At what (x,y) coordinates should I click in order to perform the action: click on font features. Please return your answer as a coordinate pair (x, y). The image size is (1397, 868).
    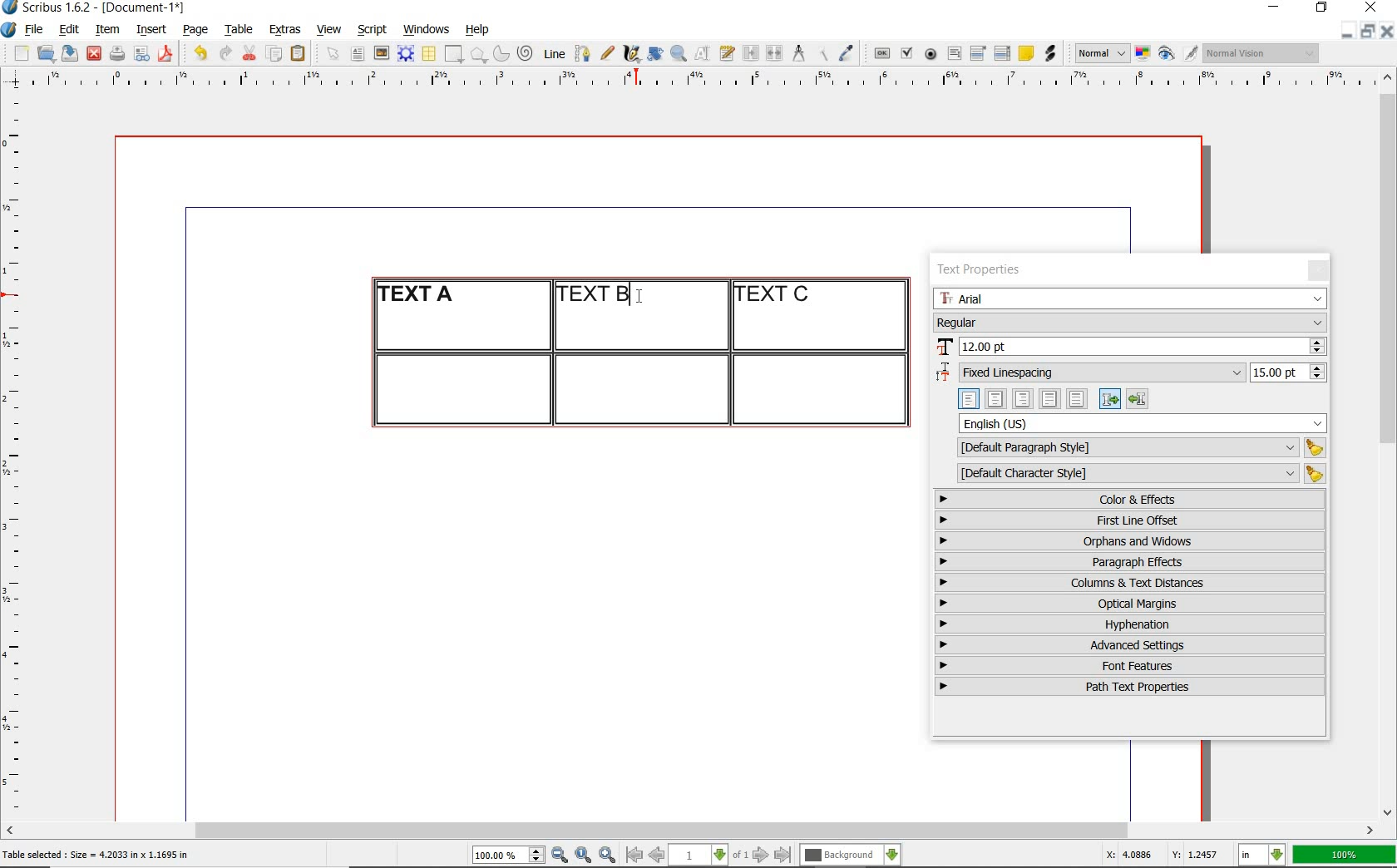
    Looking at the image, I should click on (1130, 665).